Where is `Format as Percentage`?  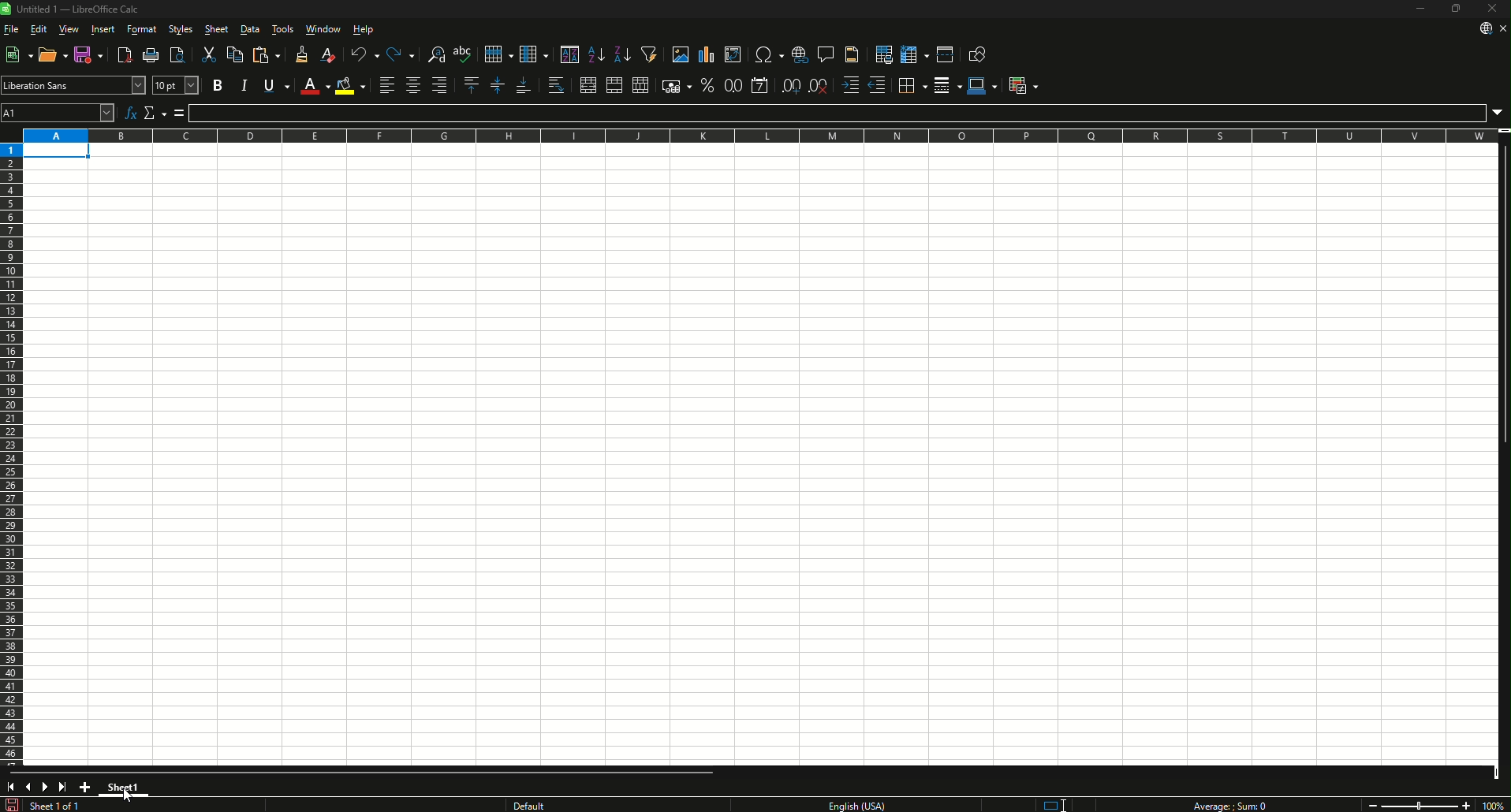
Format as Percentage is located at coordinates (707, 85).